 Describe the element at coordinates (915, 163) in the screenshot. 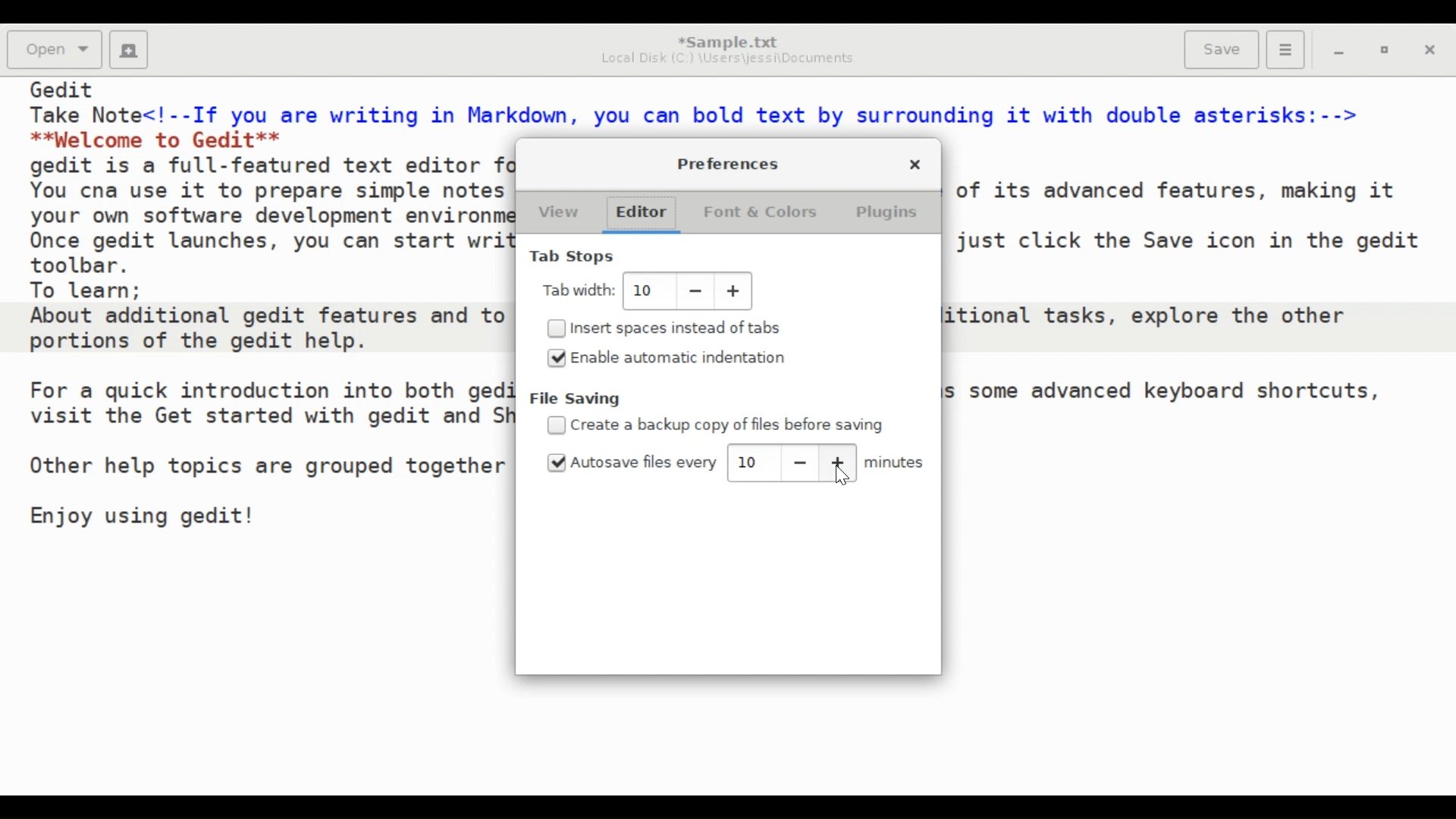

I see `Close` at that location.